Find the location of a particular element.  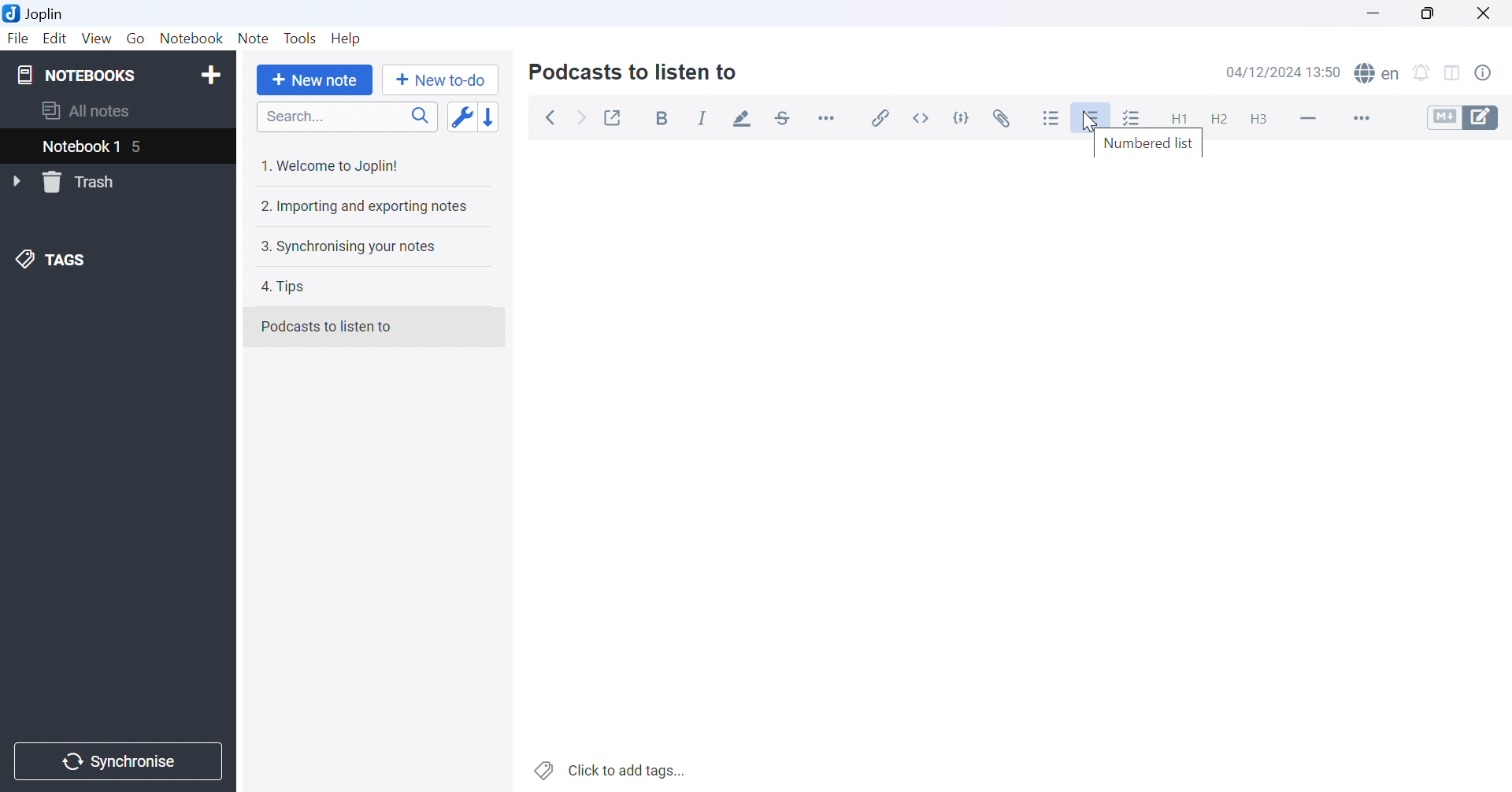

Toggle external editing is located at coordinates (613, 116).